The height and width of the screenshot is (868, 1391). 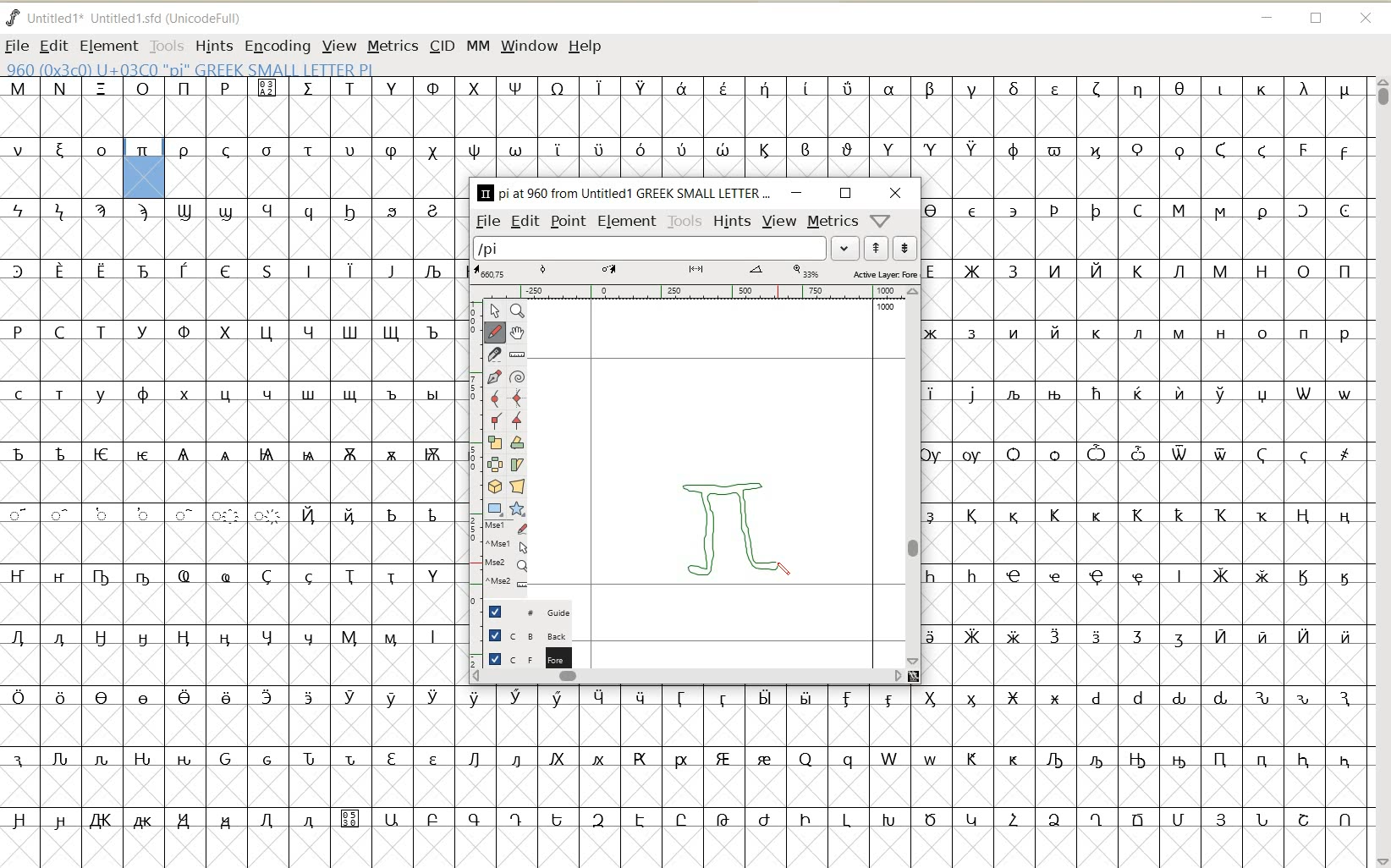 What do you see at coordinates (494, 310) in the screenshot?
I see `pointer` at bounding box center [494, 310].